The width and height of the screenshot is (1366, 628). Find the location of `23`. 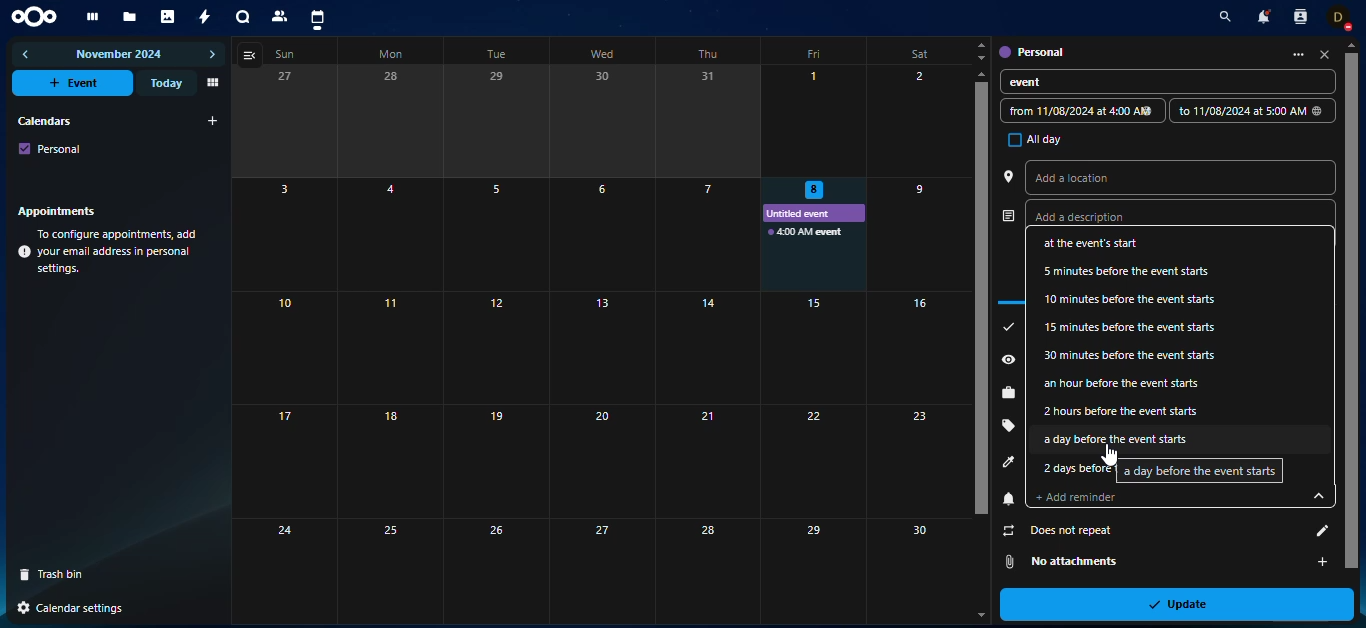

23 is located at coordinates (918, 460).